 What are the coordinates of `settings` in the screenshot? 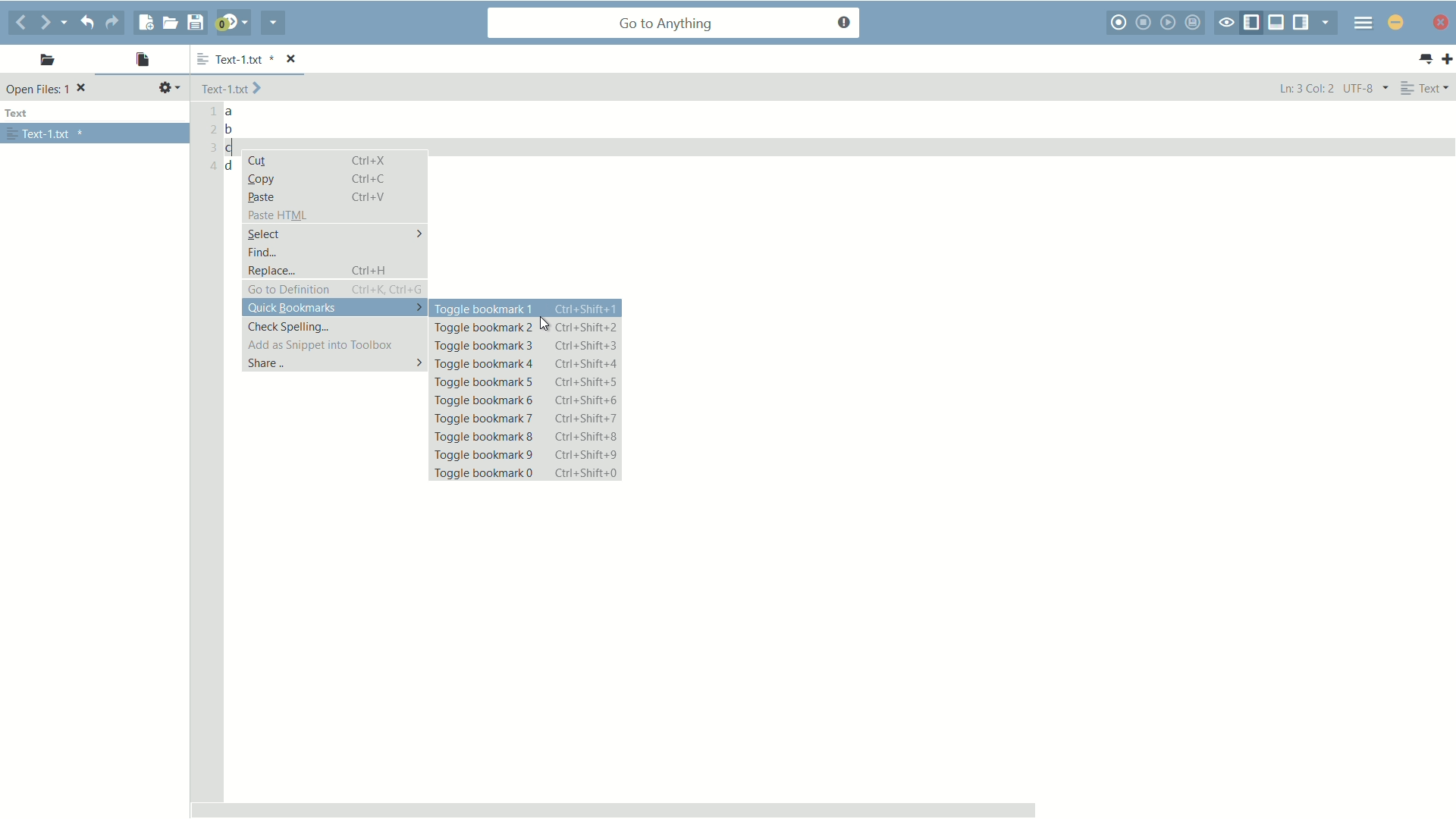 It's located at (169, 88).